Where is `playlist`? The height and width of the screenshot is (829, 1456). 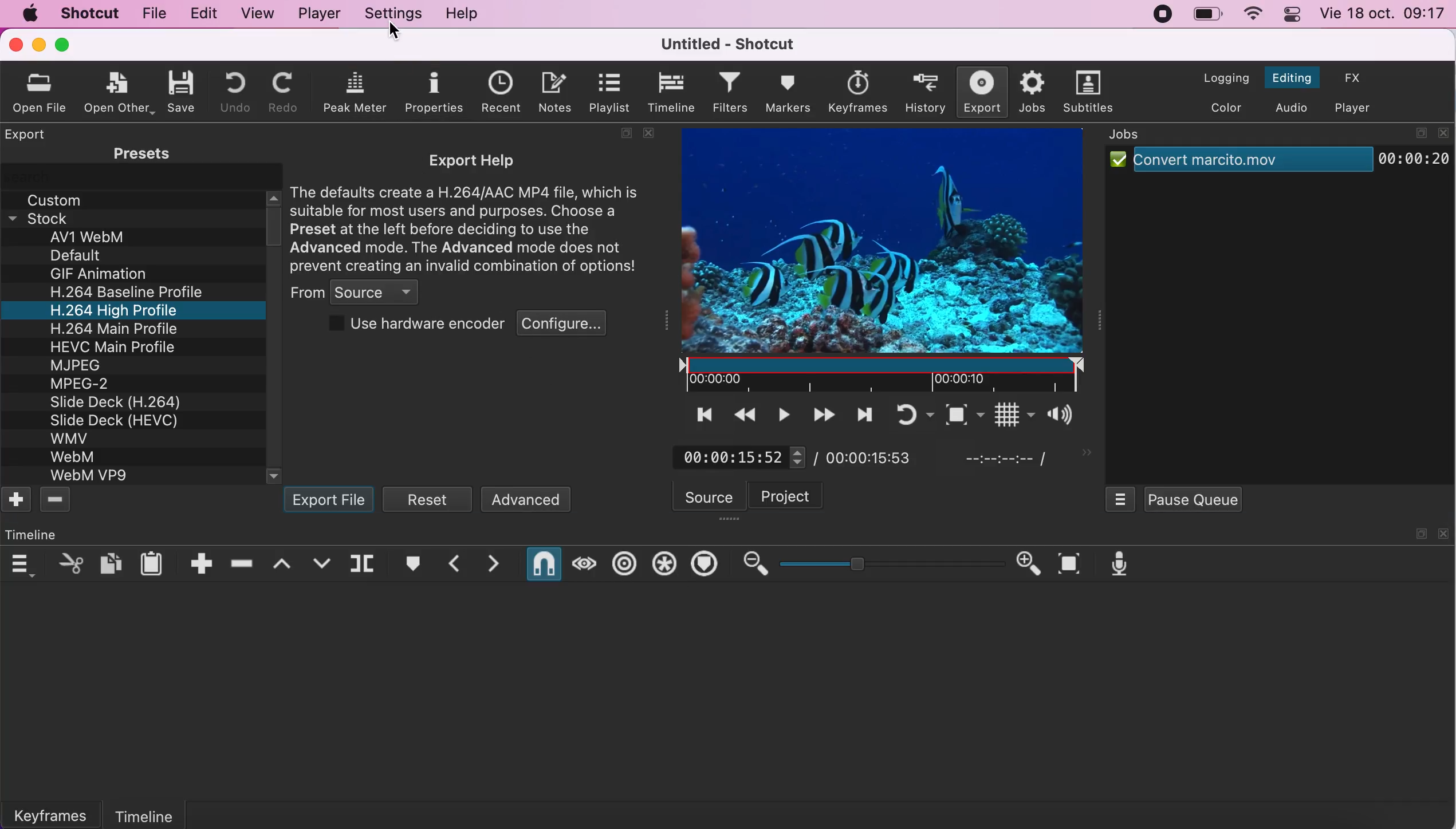 playlist is located at coordinates (609, 92).